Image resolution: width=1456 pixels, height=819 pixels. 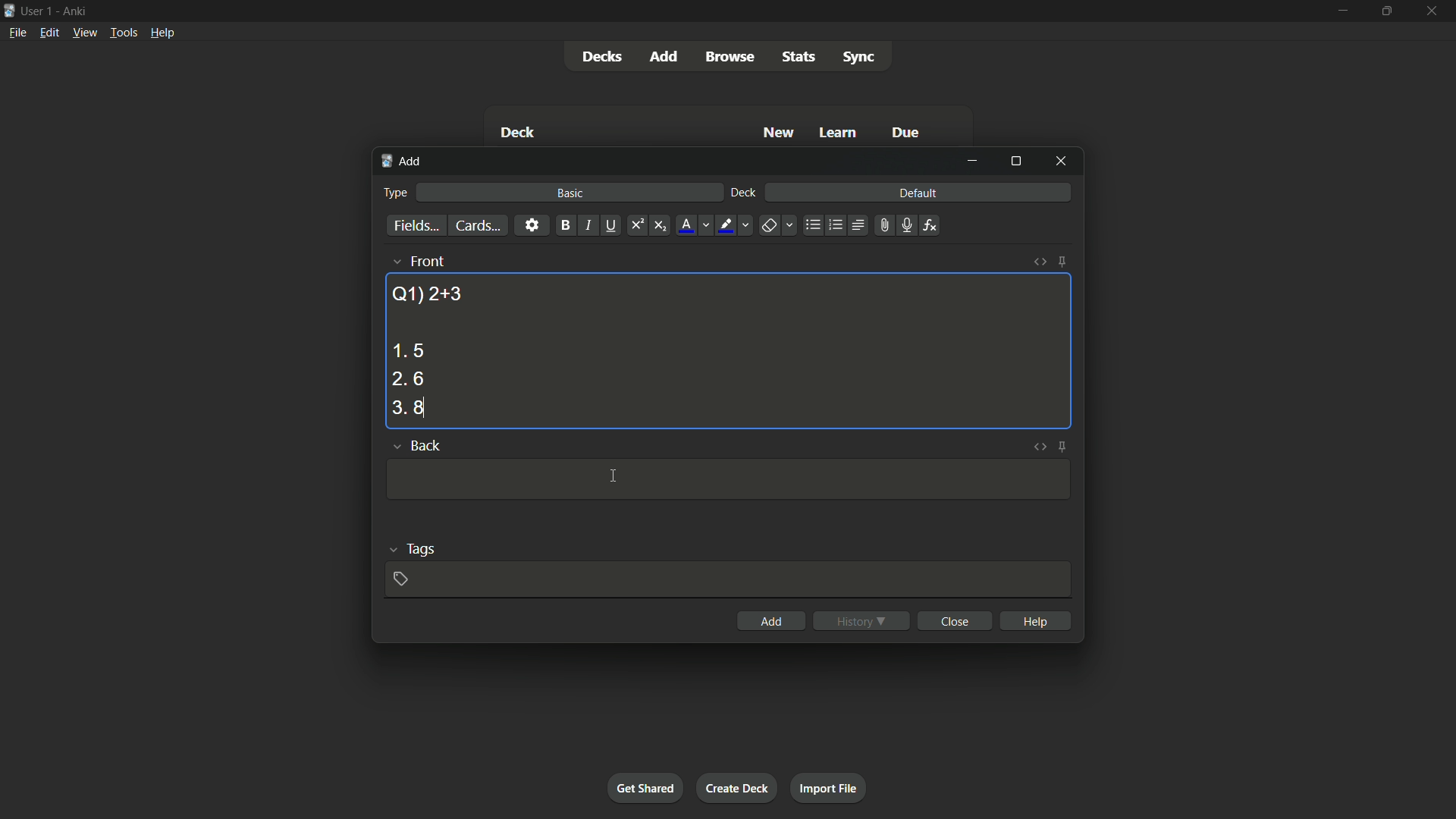 I want to click on back, so click(x=425, y=447).